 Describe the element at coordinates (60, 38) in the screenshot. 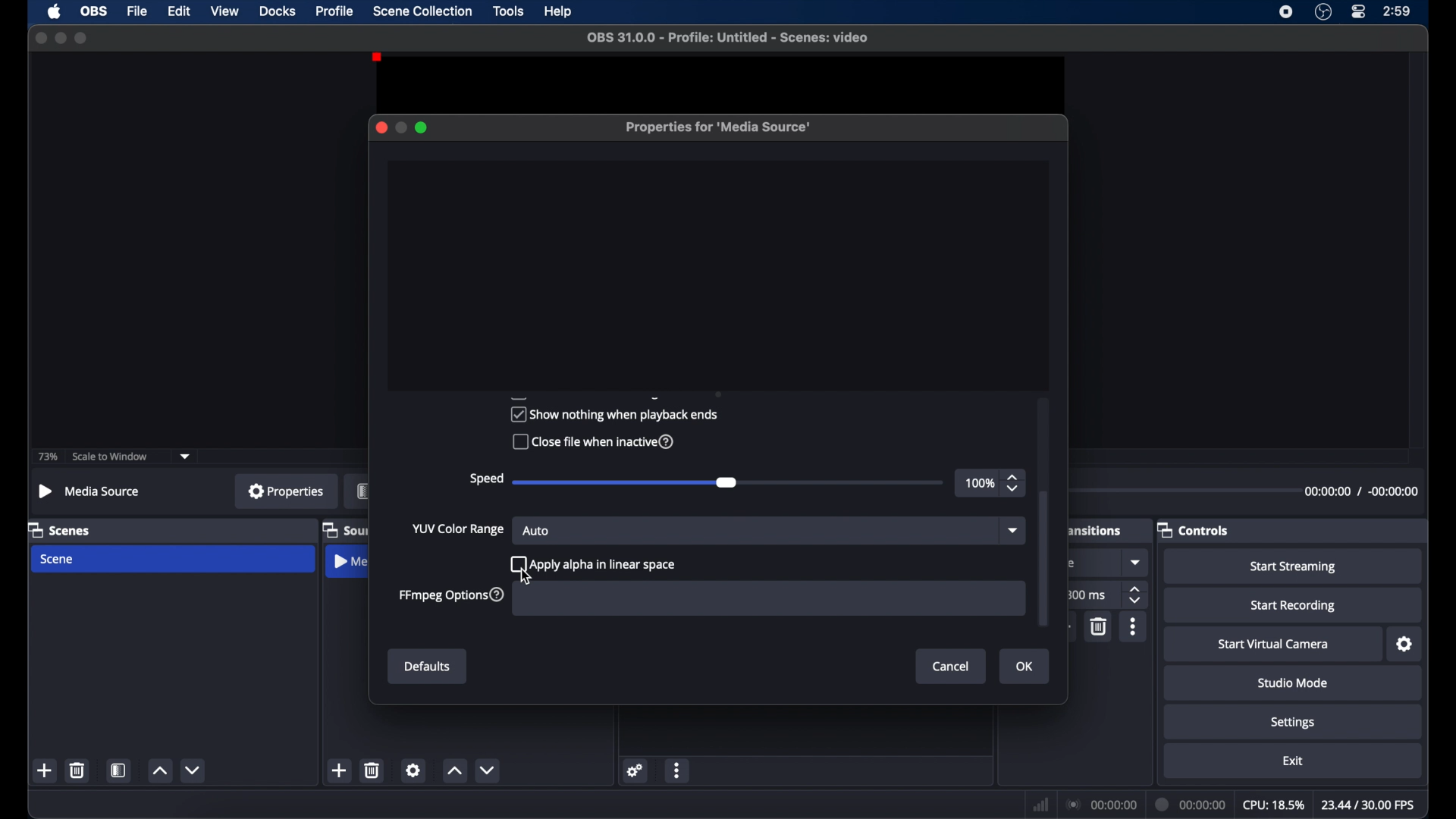

I see `minimize` at that location.